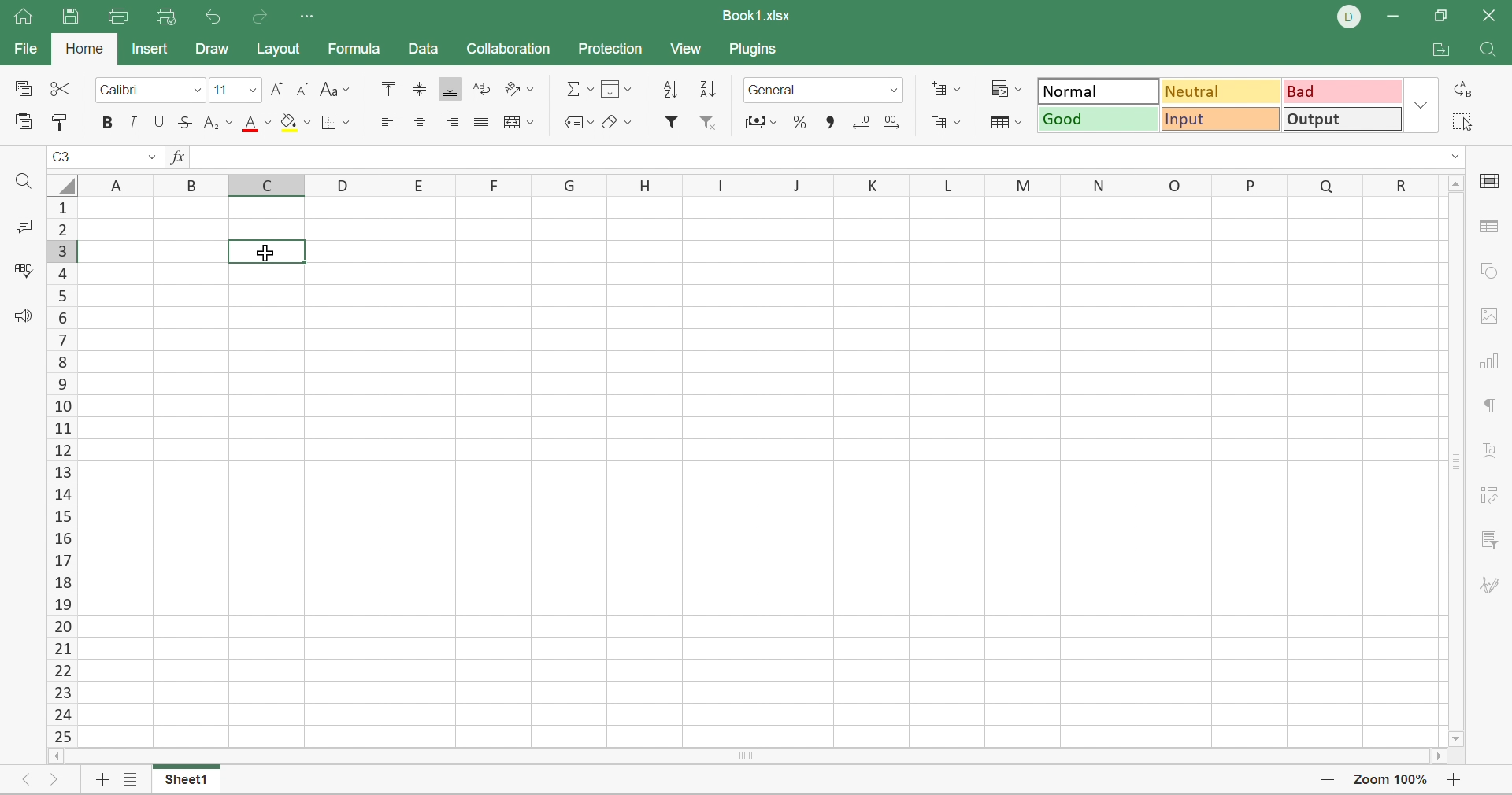 This screenshot has height=795, width=1512. I want to click on Align Left, so click(385, 122).